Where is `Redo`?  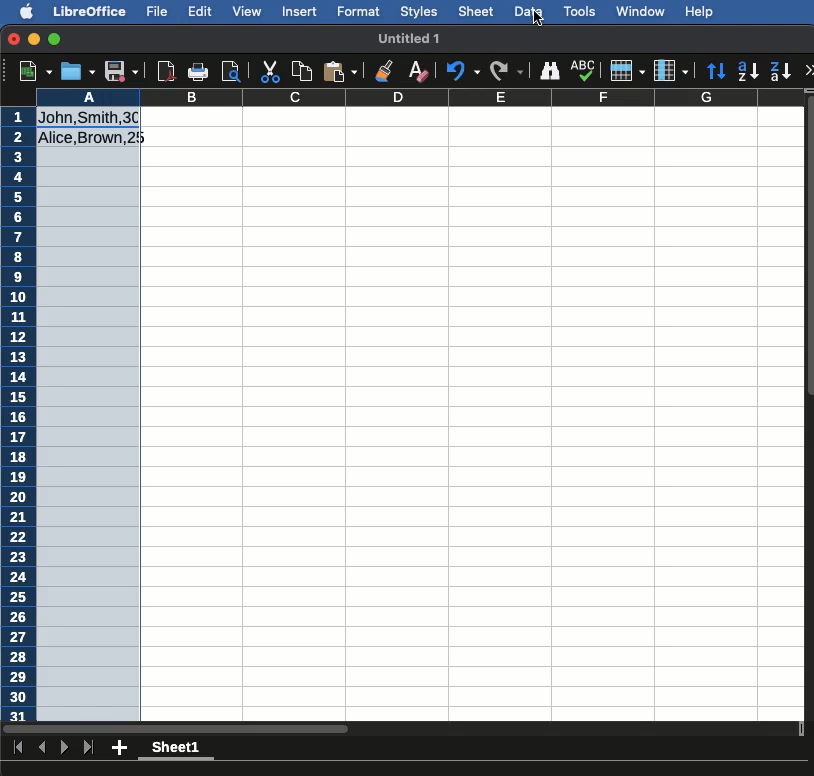
Redo is located at coordinates (510, 68).